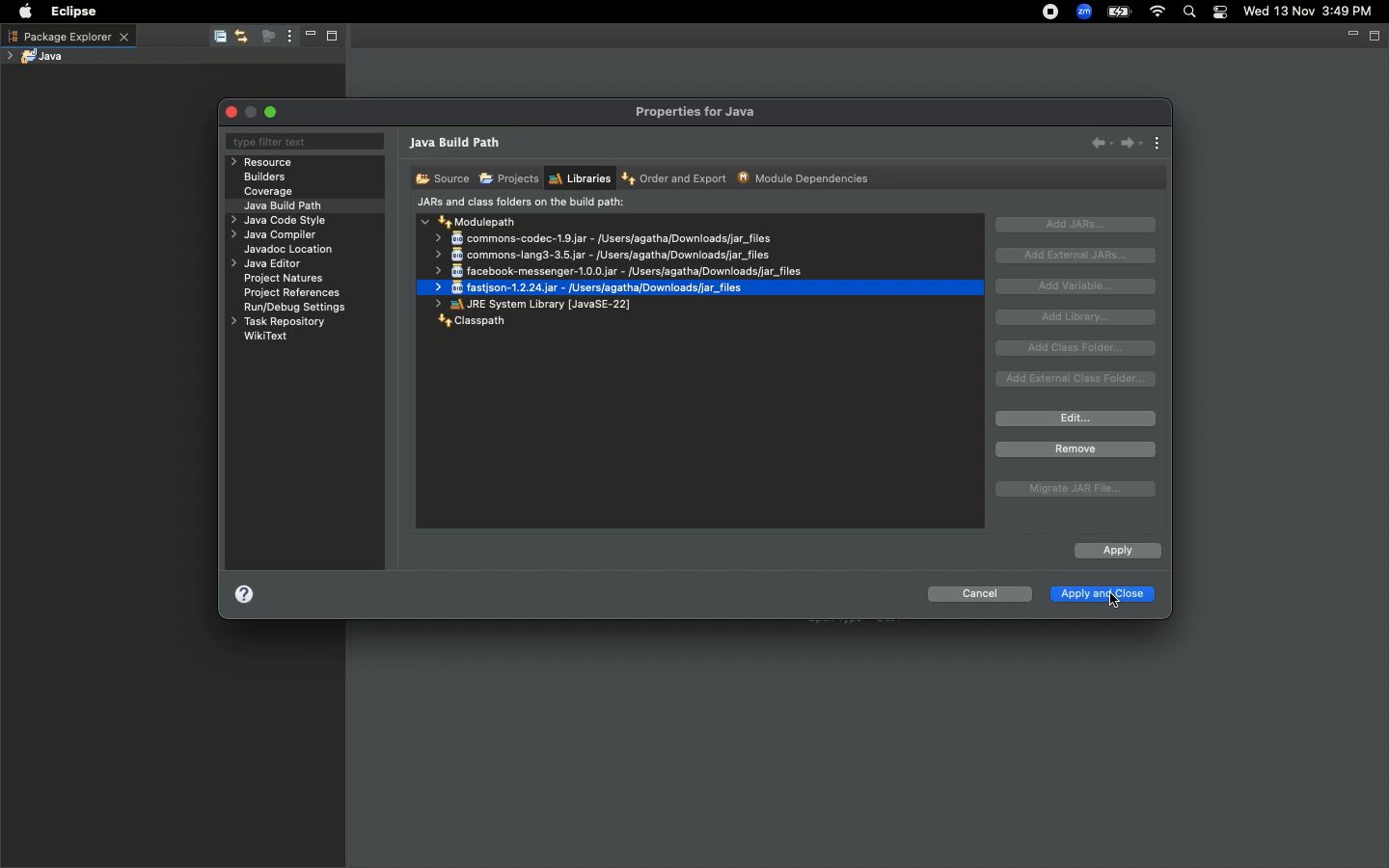 Image resolution: width=1389 pixels, height=868 pixels. Describe the element at coordinates (338, 38) in the screenshot. I see `Maximize` at that location.